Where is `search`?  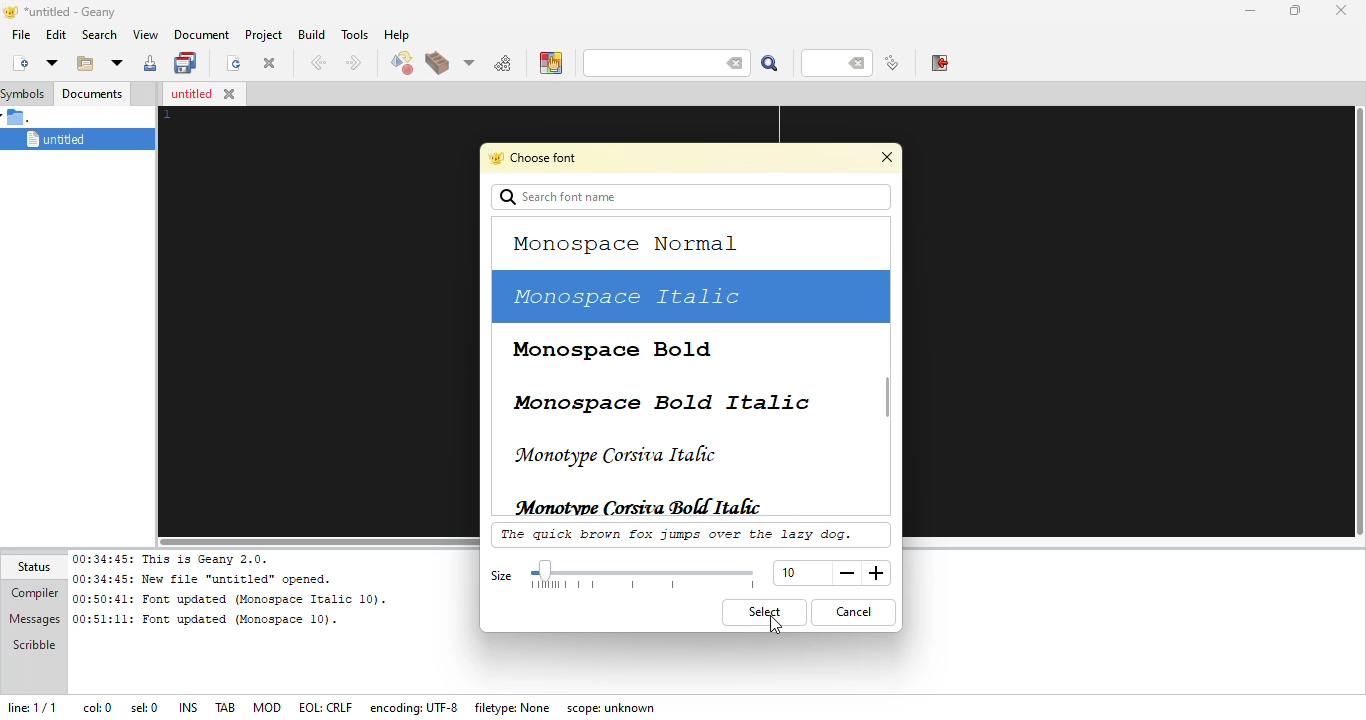
search is located at coordinates (768, 63).